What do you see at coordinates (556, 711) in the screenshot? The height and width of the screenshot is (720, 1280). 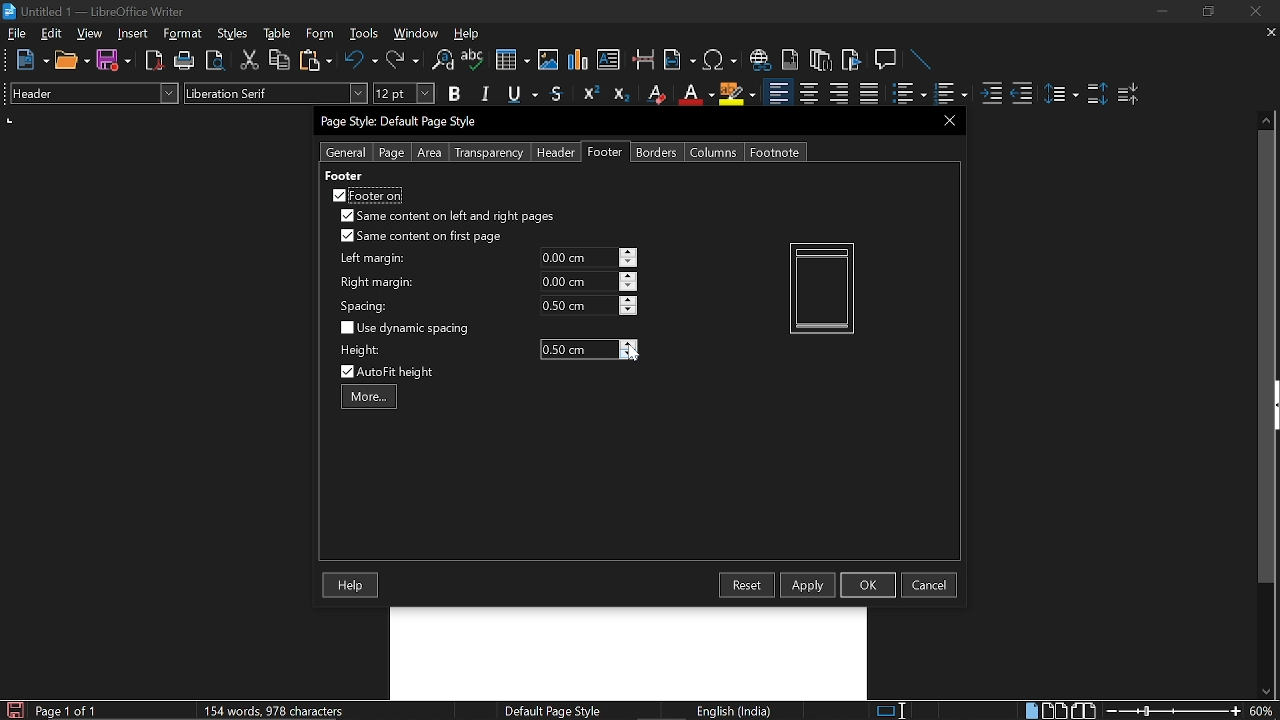 I see `page style Page style` at bounding box center [556, 711].